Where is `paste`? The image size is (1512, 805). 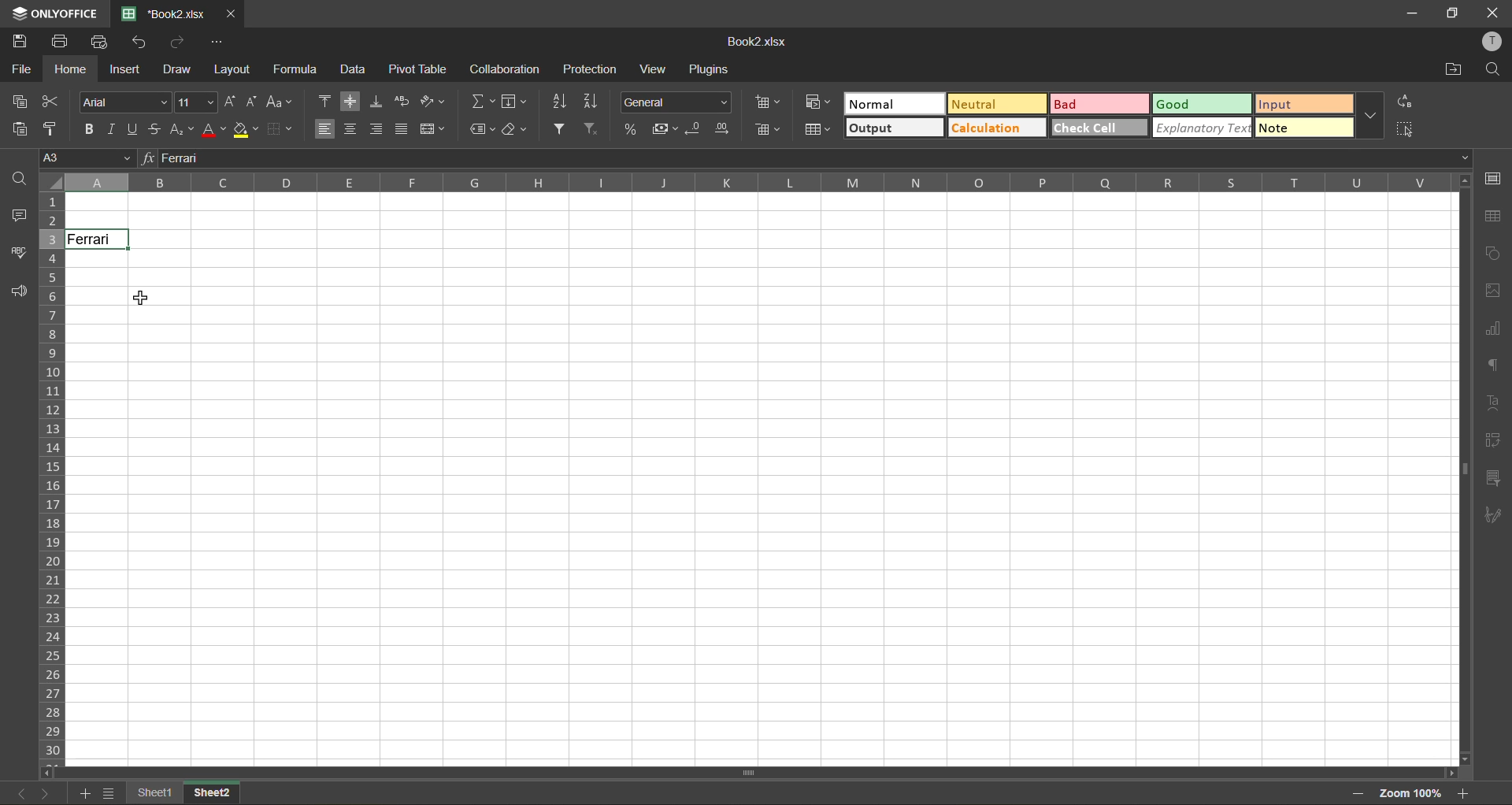
paste is located at coordinates (19, 129).